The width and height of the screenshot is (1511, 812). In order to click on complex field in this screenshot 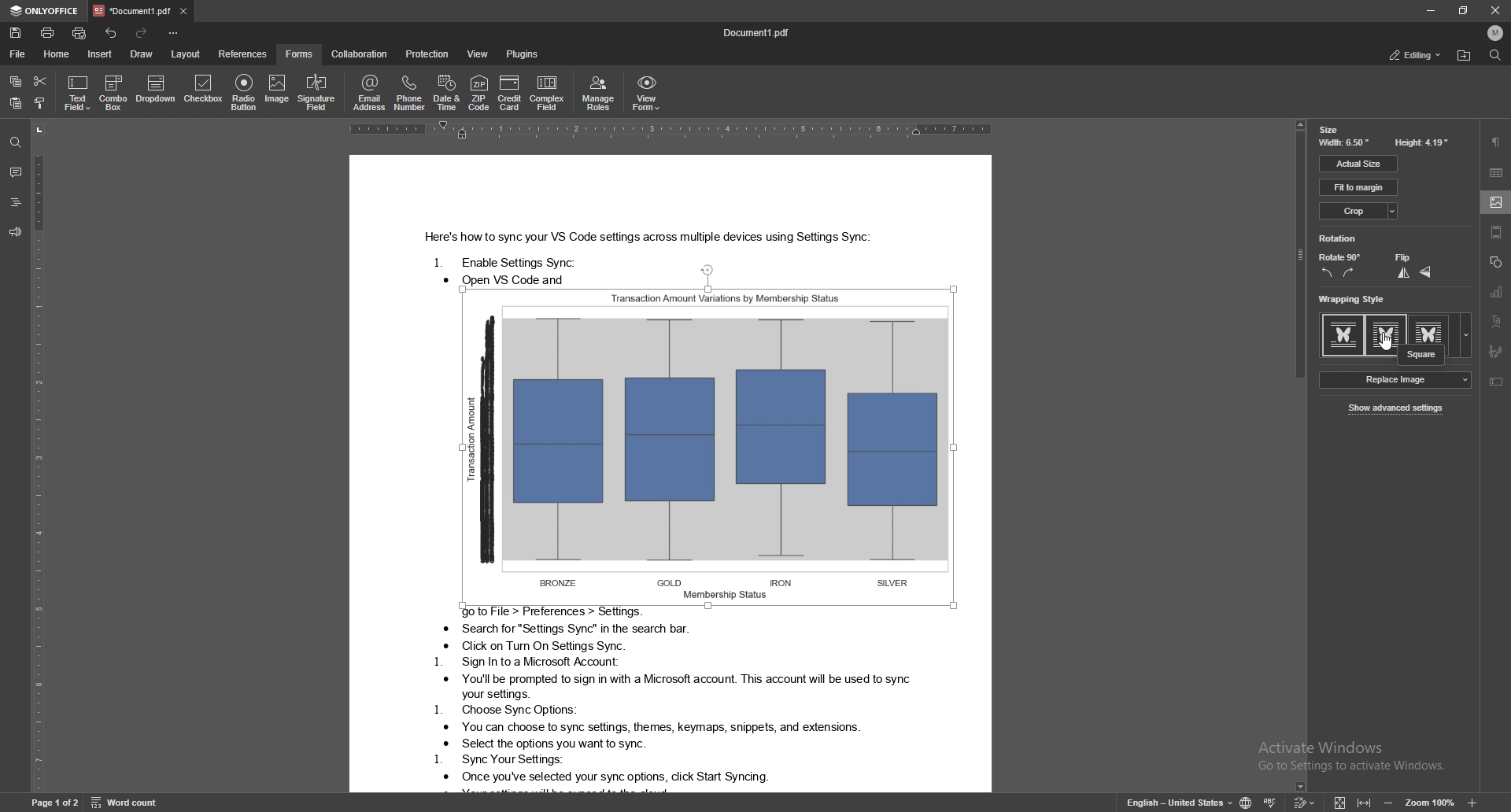, I will do `click(548, 93)`.